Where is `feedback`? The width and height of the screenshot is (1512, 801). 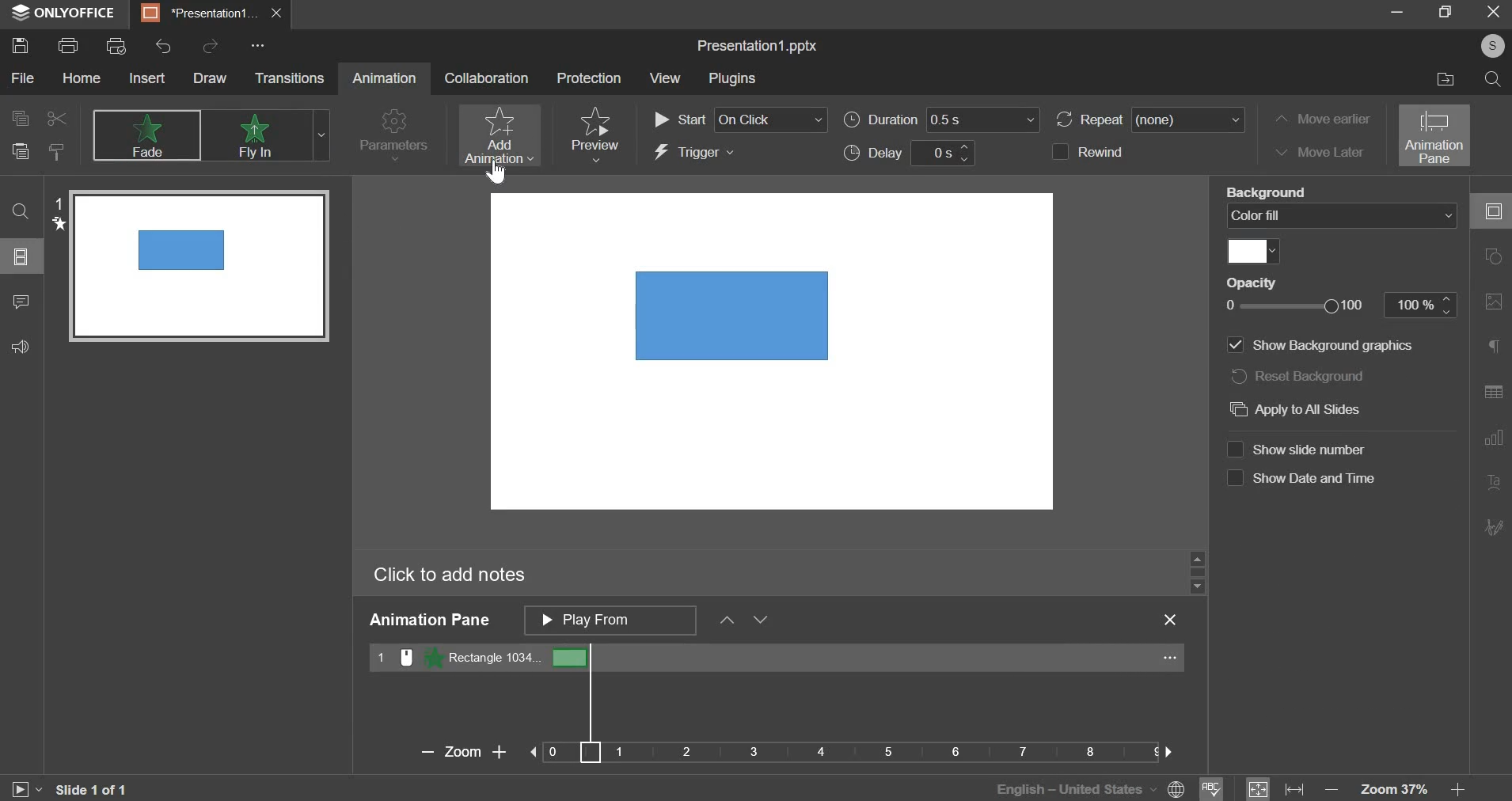
feedback is located at coordinates (21, 347).